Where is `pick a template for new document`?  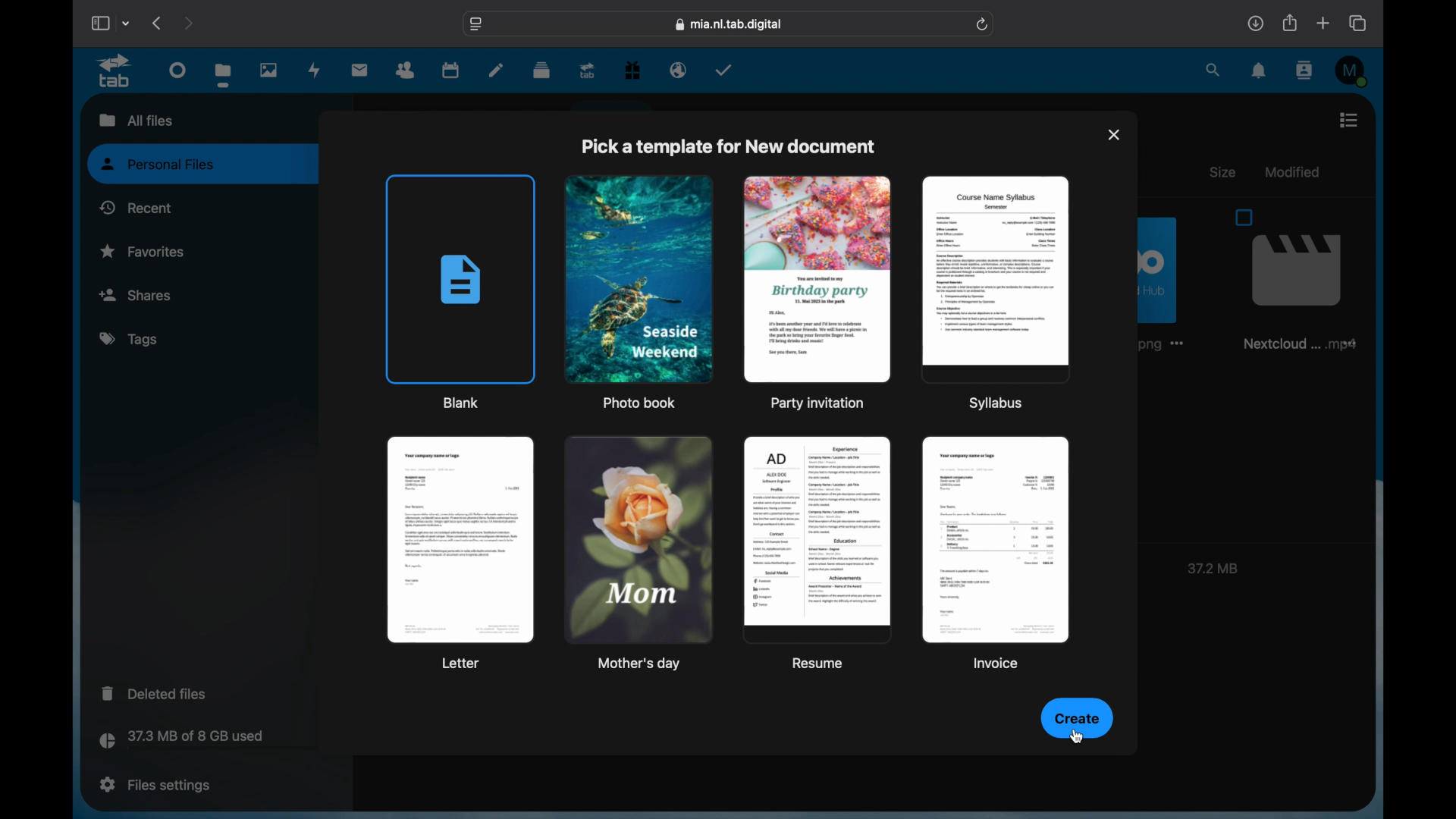 pick a template for new document is located at coordinates (730, 146).